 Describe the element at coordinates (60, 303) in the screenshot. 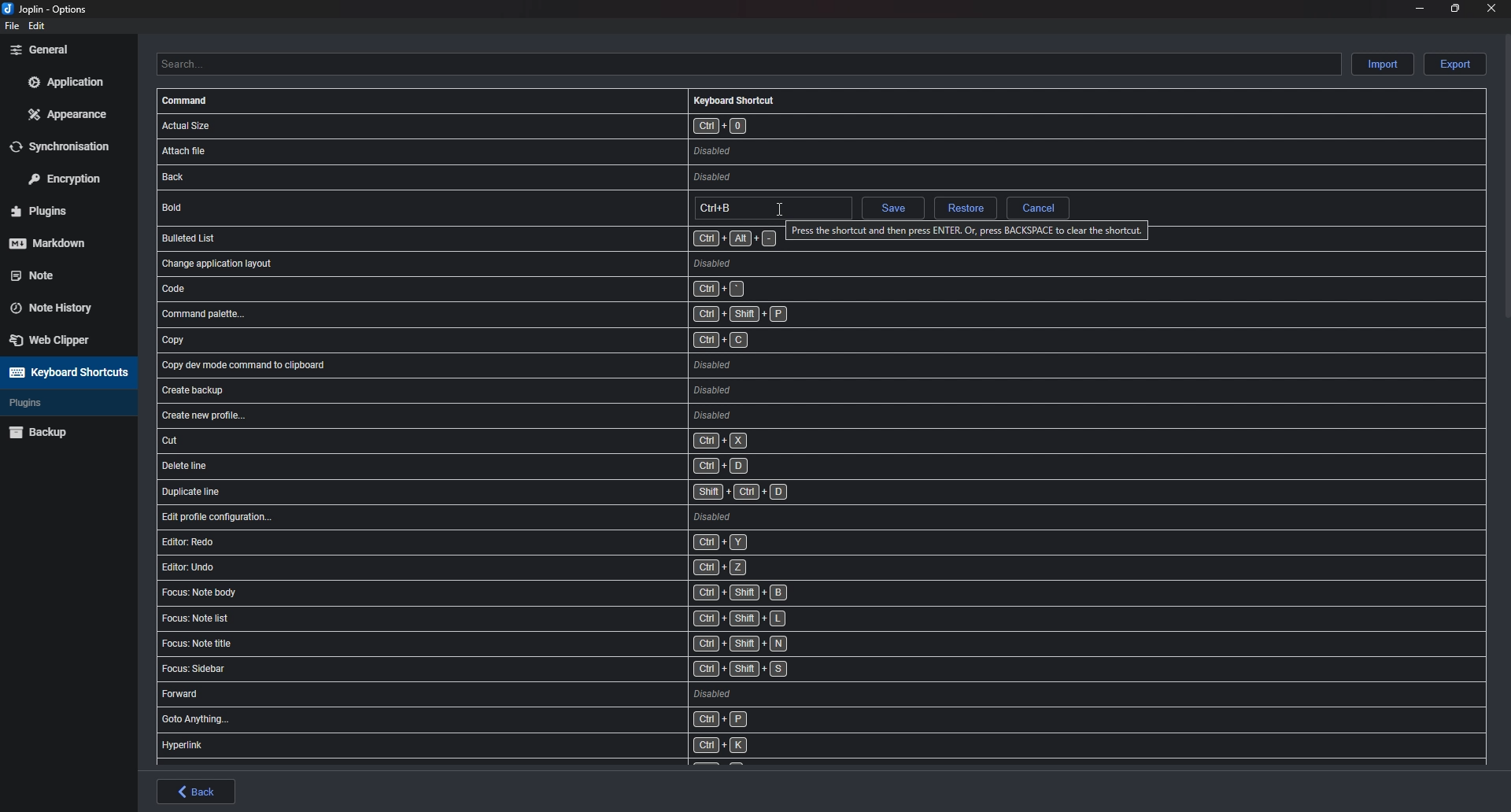

I see `Note history` at that location.